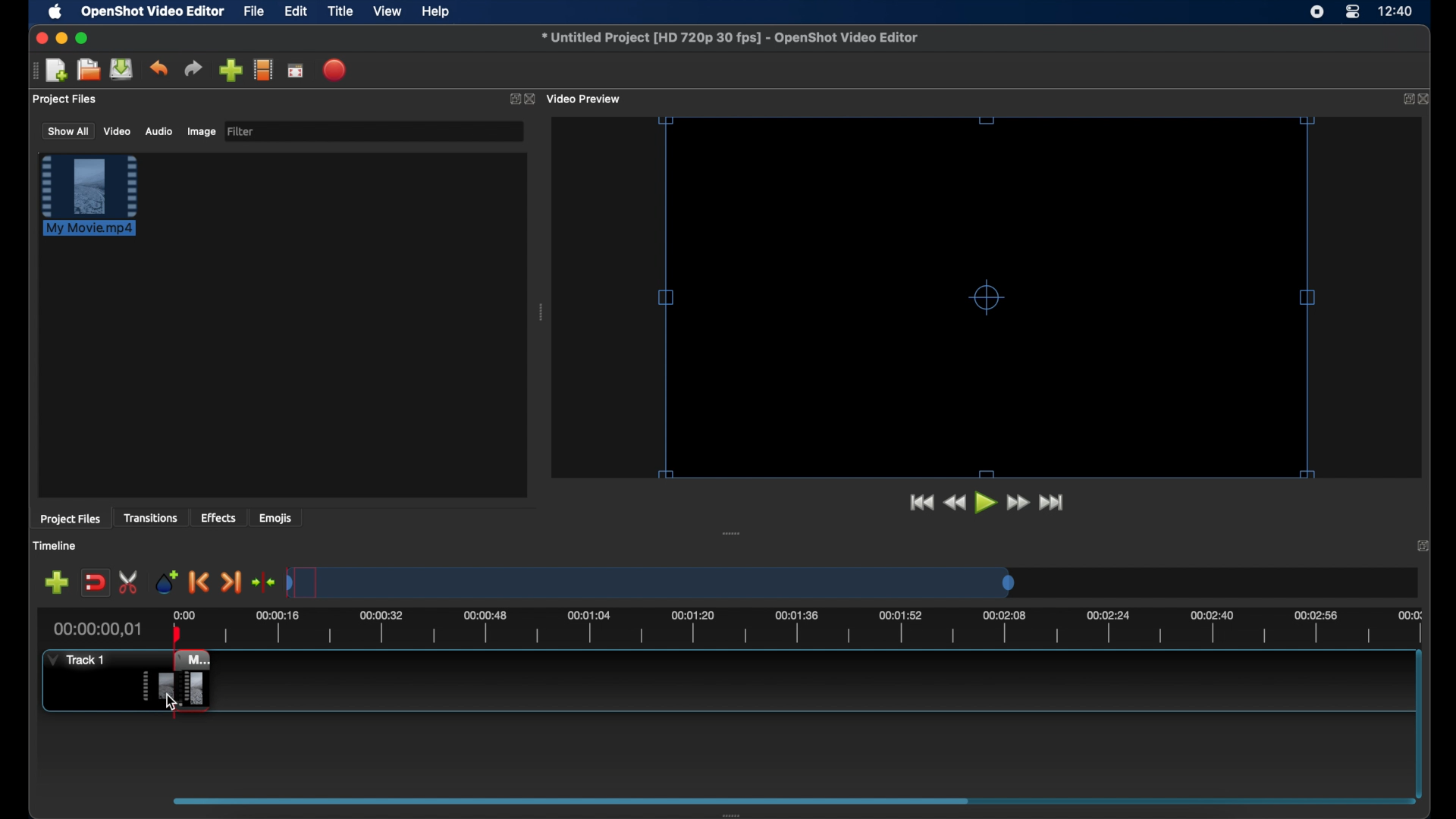  Describe the element at coordinates (1405, 99) in the screenshot. I see `expand` at that location.